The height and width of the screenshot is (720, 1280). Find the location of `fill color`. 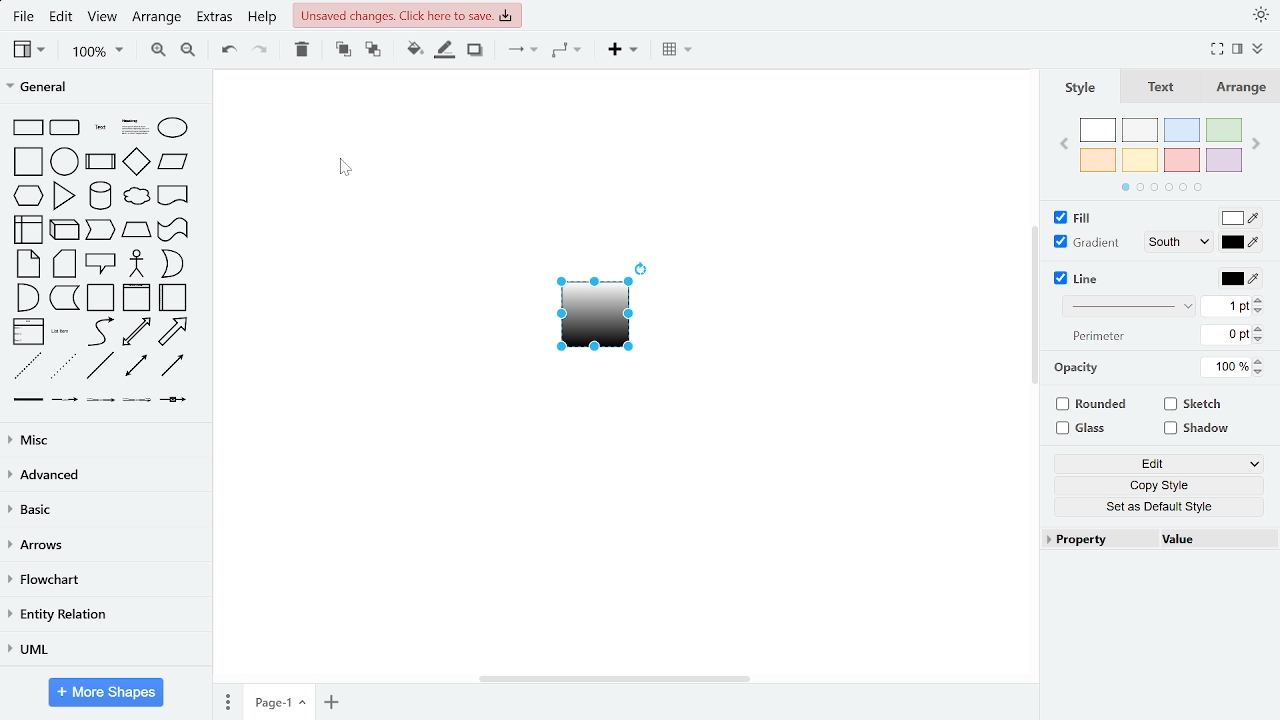

fill color is located at coordinates (414, 51).